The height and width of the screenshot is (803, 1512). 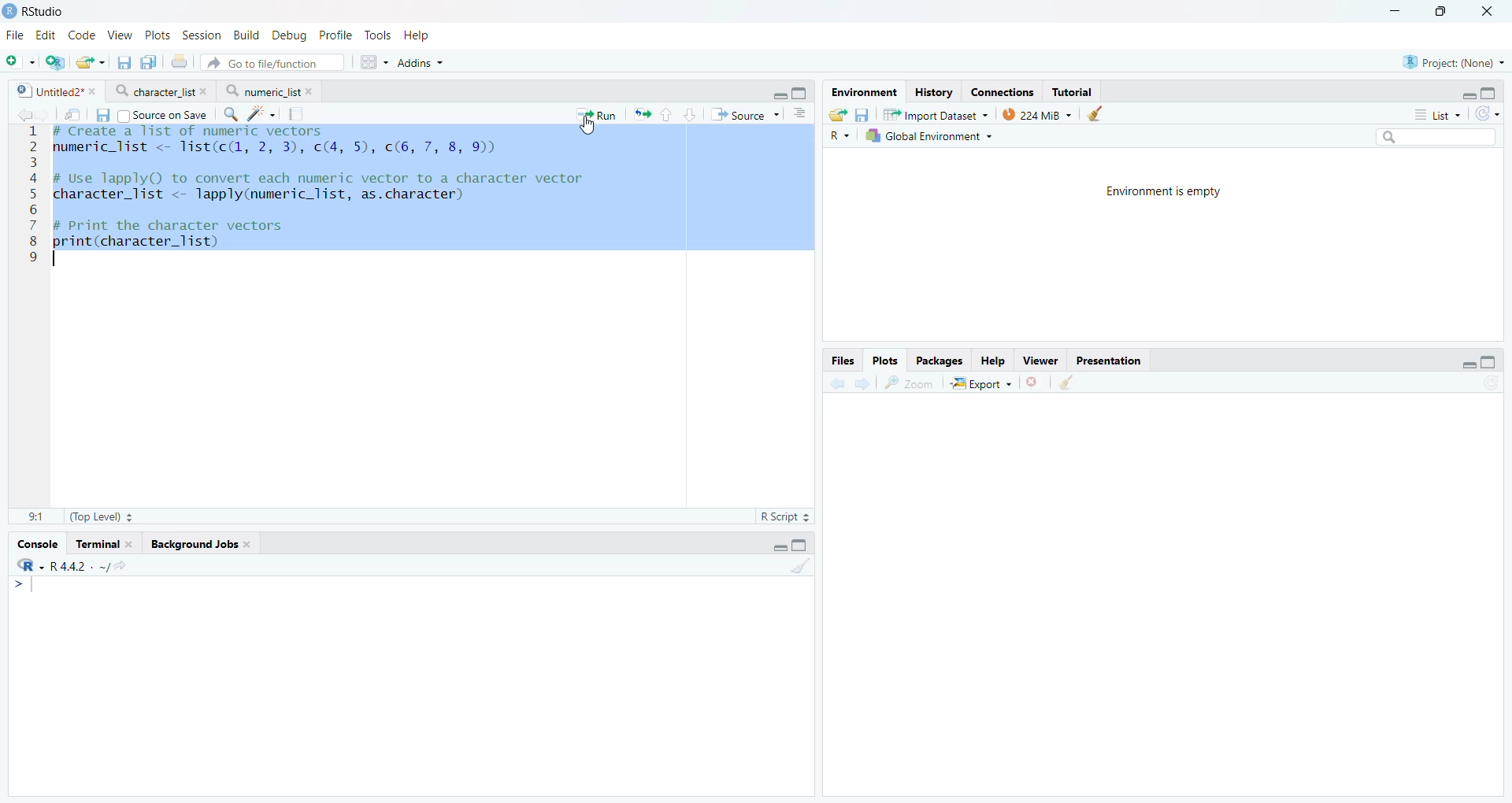 I want to click on History, so click(x=934, y=91).